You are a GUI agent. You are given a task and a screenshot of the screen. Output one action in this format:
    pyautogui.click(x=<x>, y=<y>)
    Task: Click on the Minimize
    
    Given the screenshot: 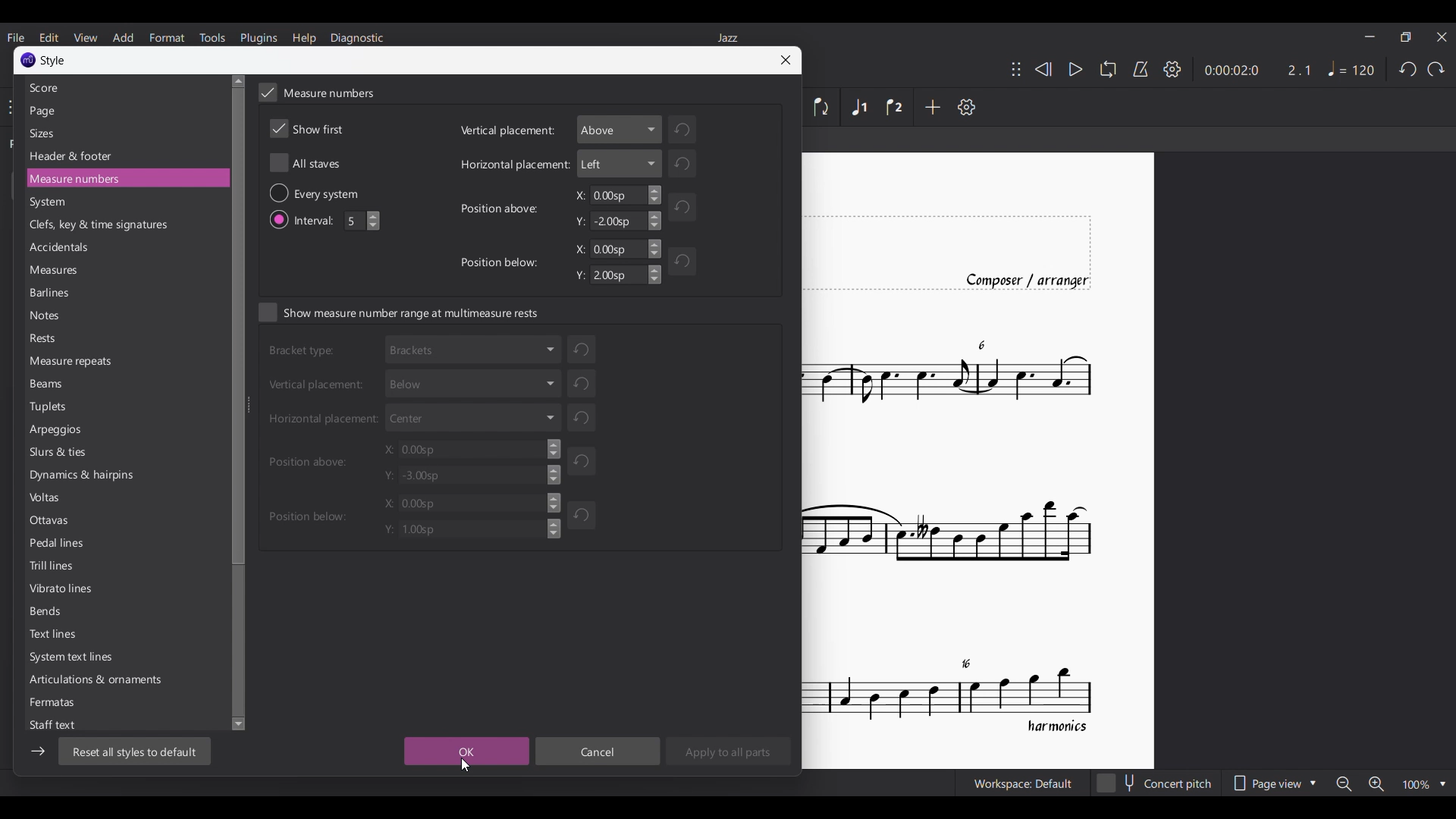 What is the action you would take?
    pyautogui.click(x=1369, y=36)
    